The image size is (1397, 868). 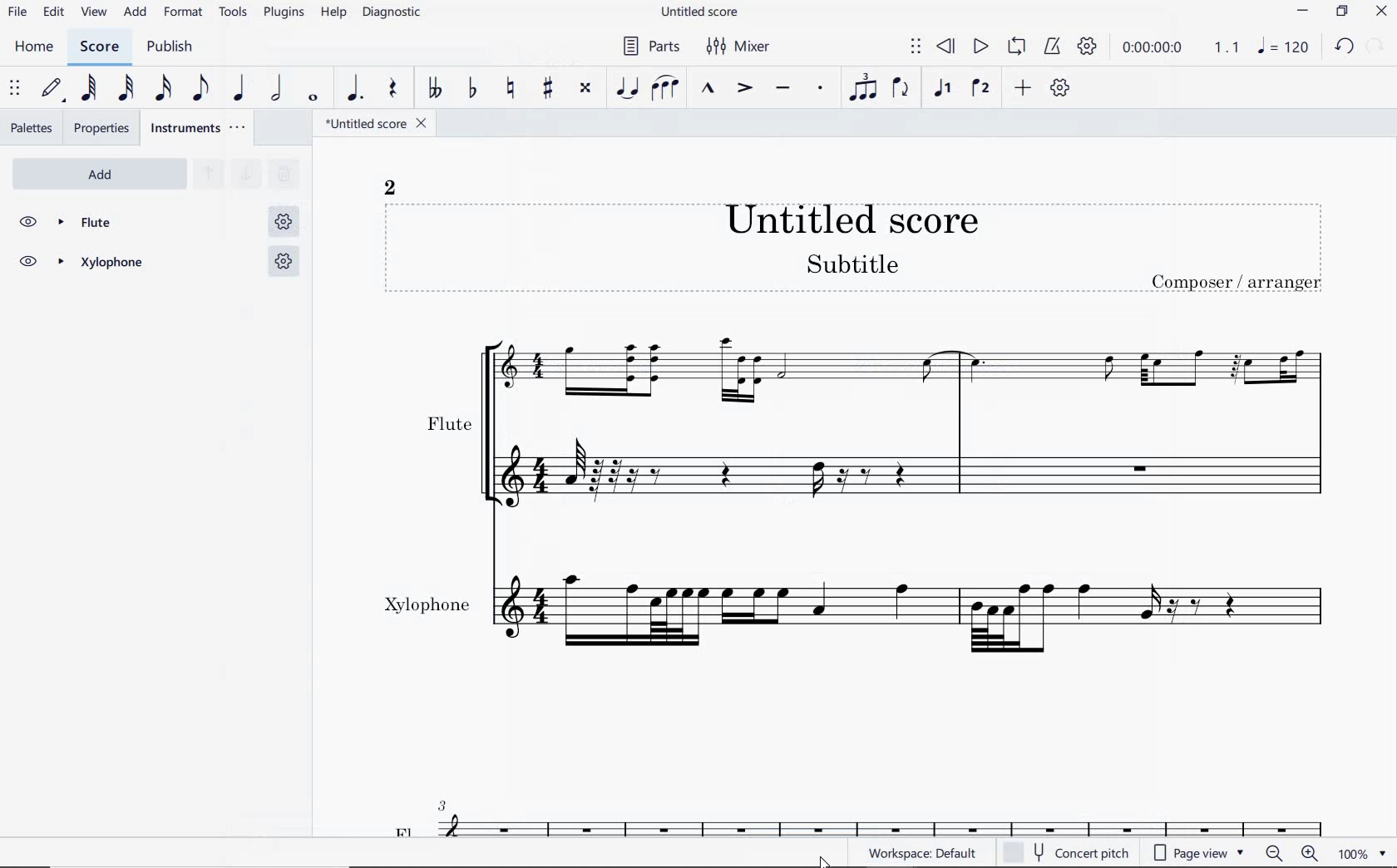 I want to click on ADD, so click(x=1020, y=89).